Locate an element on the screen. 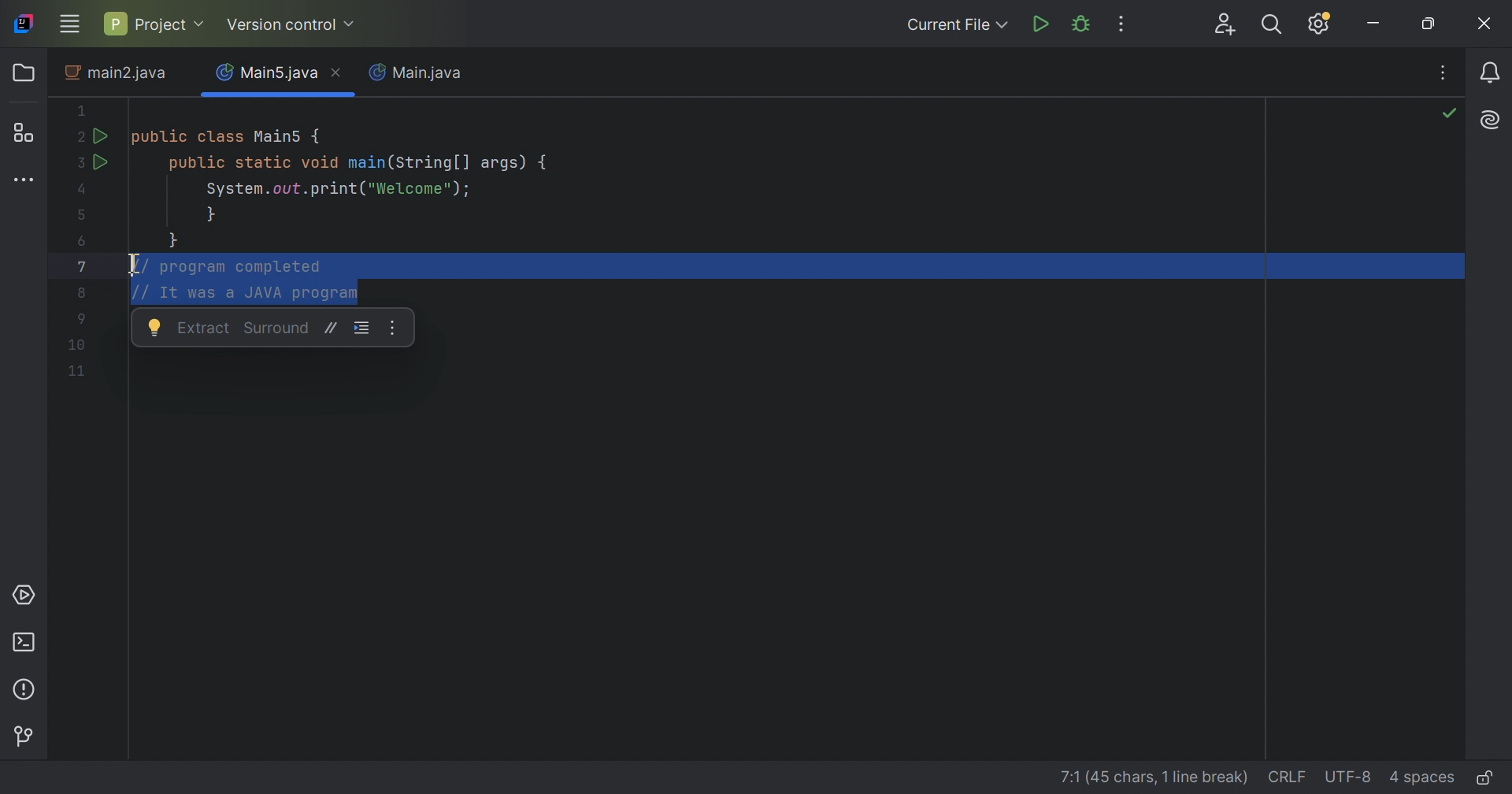 This screenshot has height=794, width=1512. Close is located at coordinates (1486, 25).